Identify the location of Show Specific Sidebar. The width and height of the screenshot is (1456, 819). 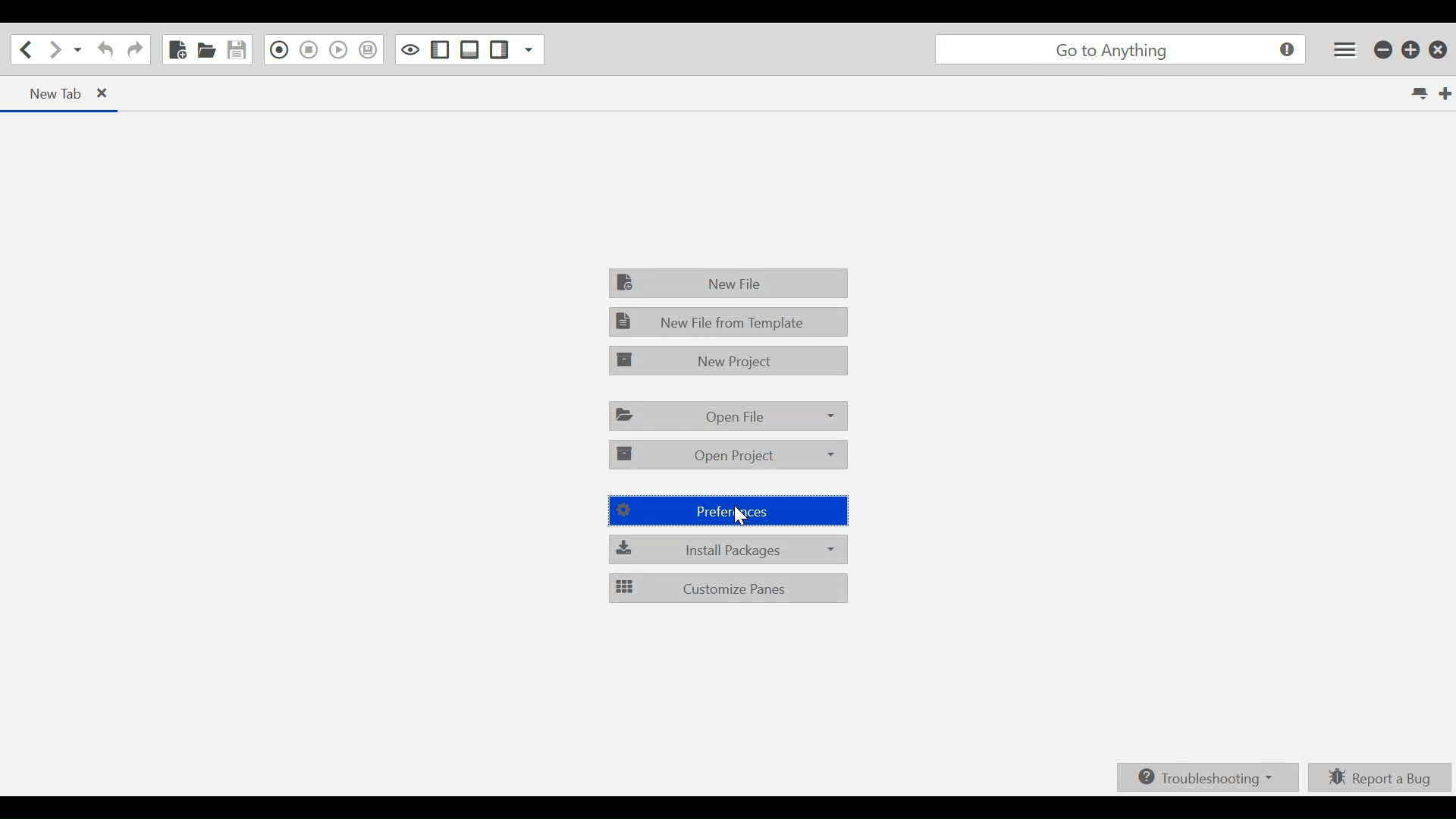
(529, 49).